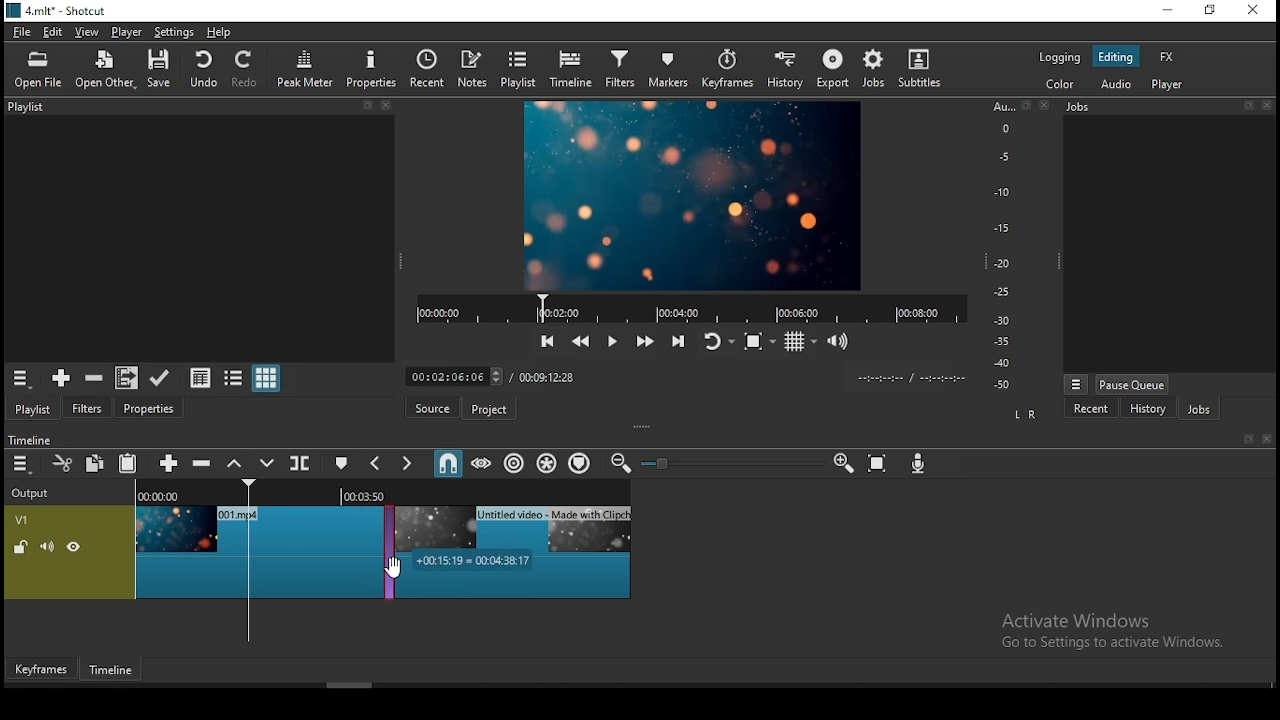 Image resolution: width=1280 pixels, height=720 pixels. What do you see at coordinates (1093, 407) in the screenshot?
I see `recent` at bounding box center [1093, 407].